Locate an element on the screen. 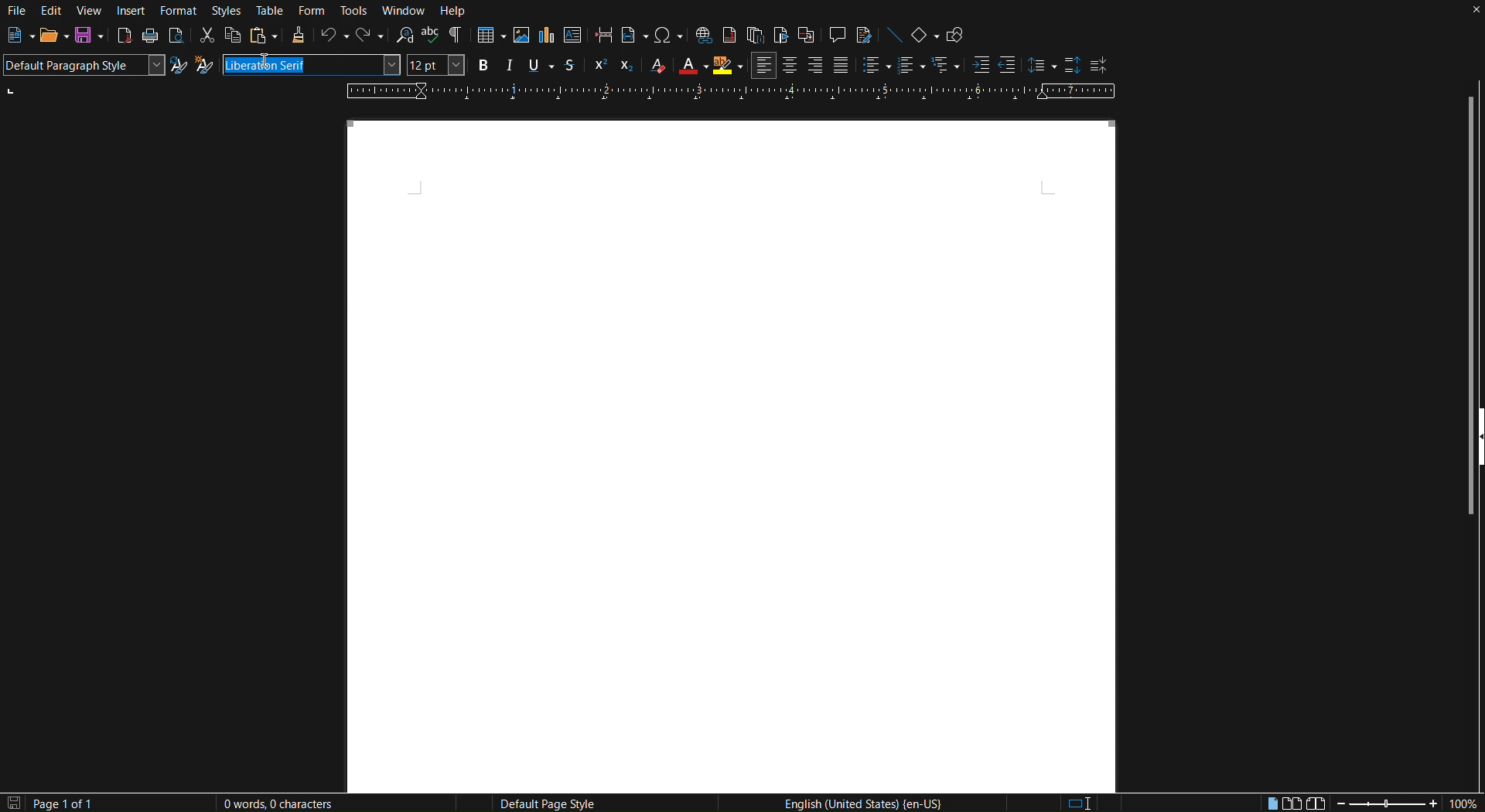 The image size is (1485, 812). Redo is located at coordinates (367, 38).